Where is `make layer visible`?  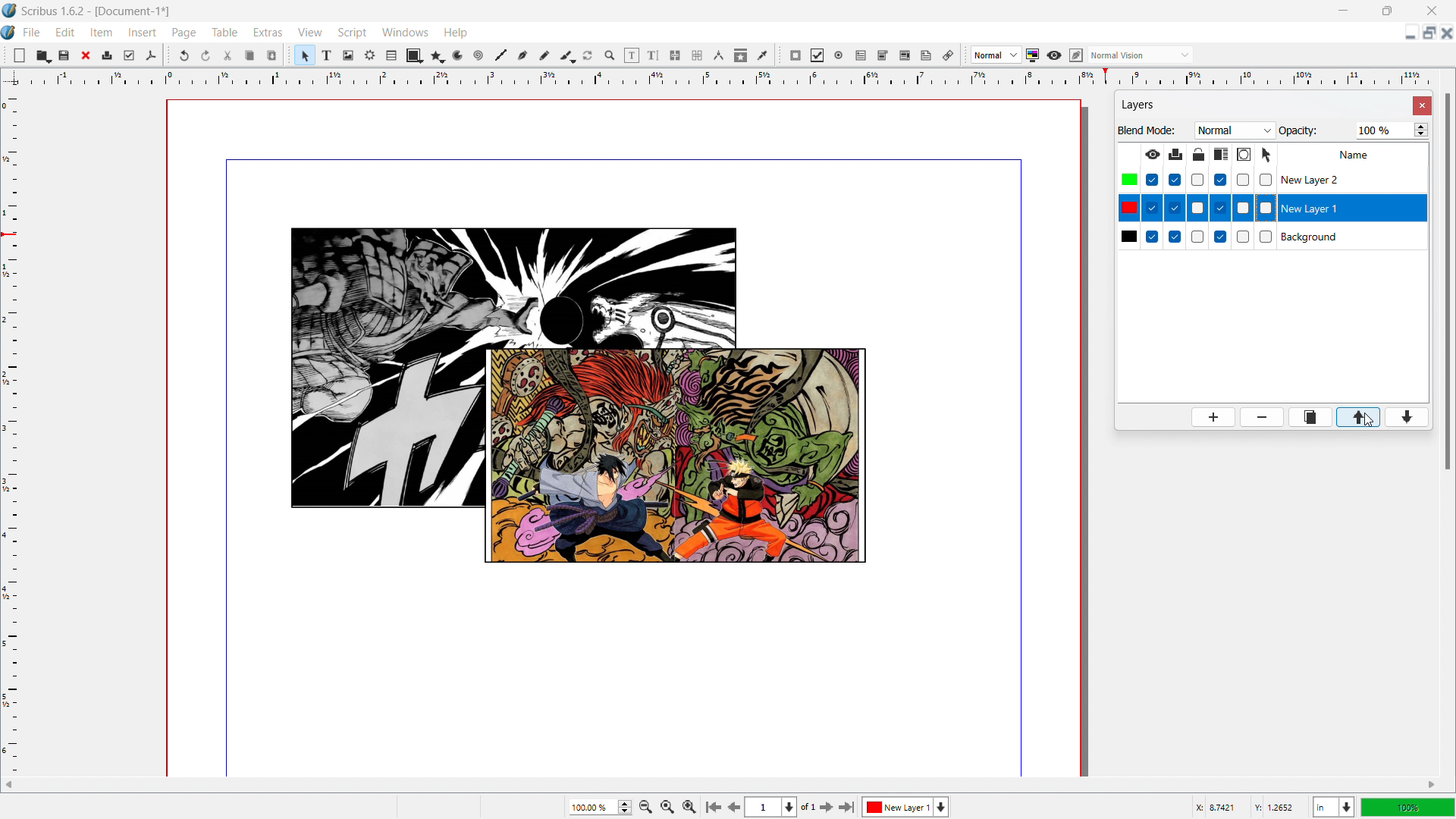
make layer visible is located at coordinates (1152, 154).